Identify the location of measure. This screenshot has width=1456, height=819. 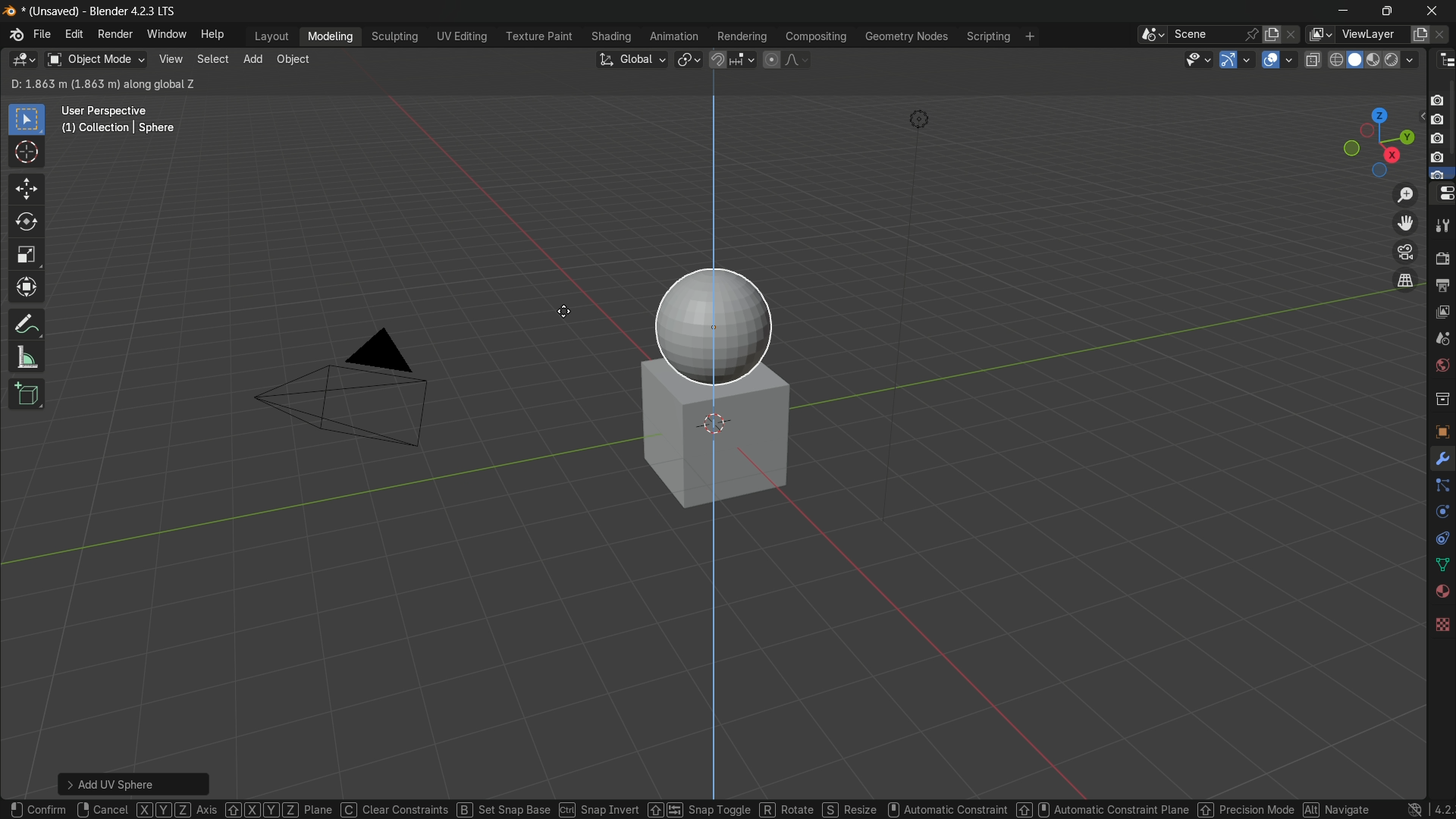
(28, 359).